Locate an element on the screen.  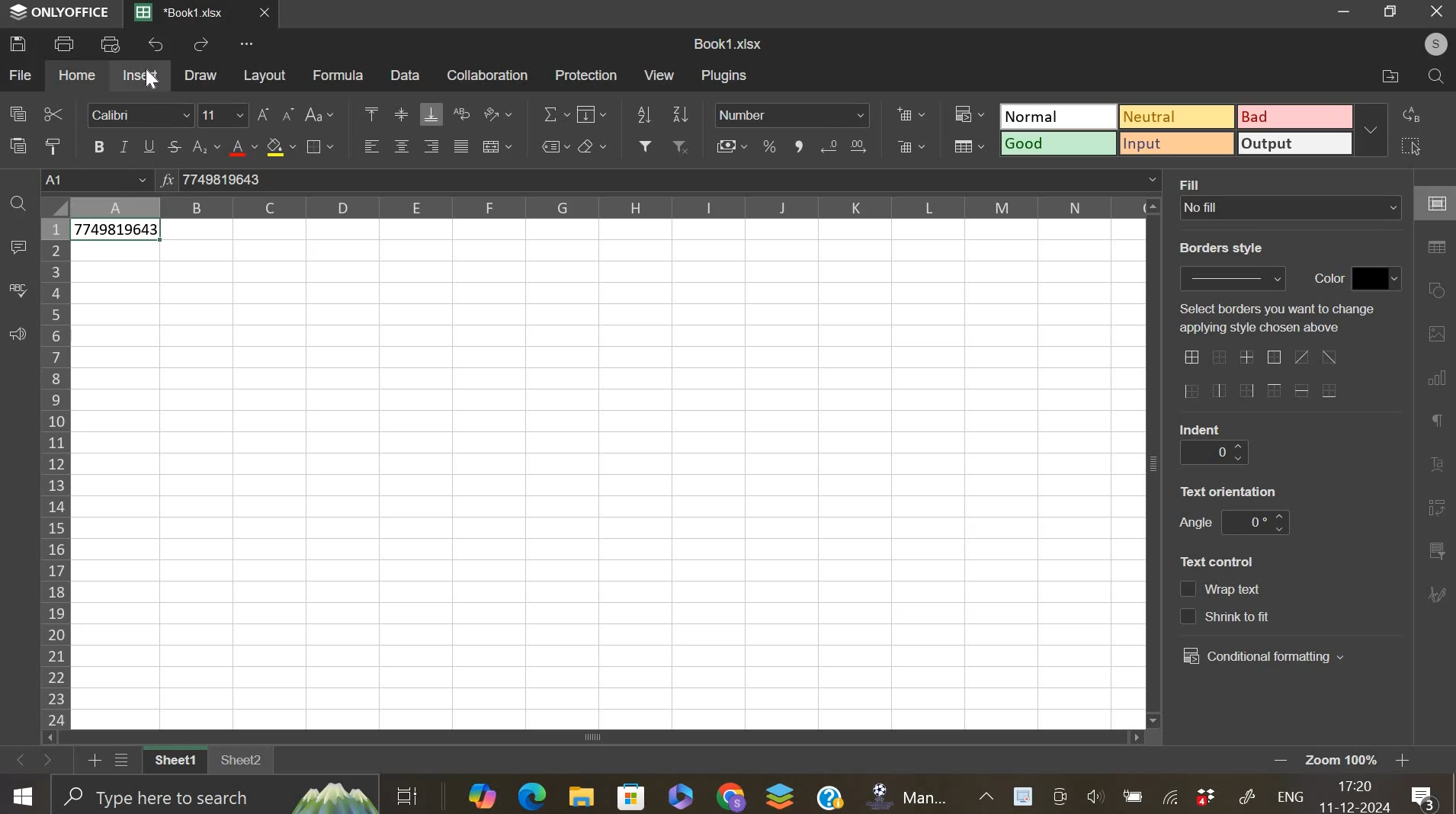
spreadsheet name is located at coordinates (727, 43).